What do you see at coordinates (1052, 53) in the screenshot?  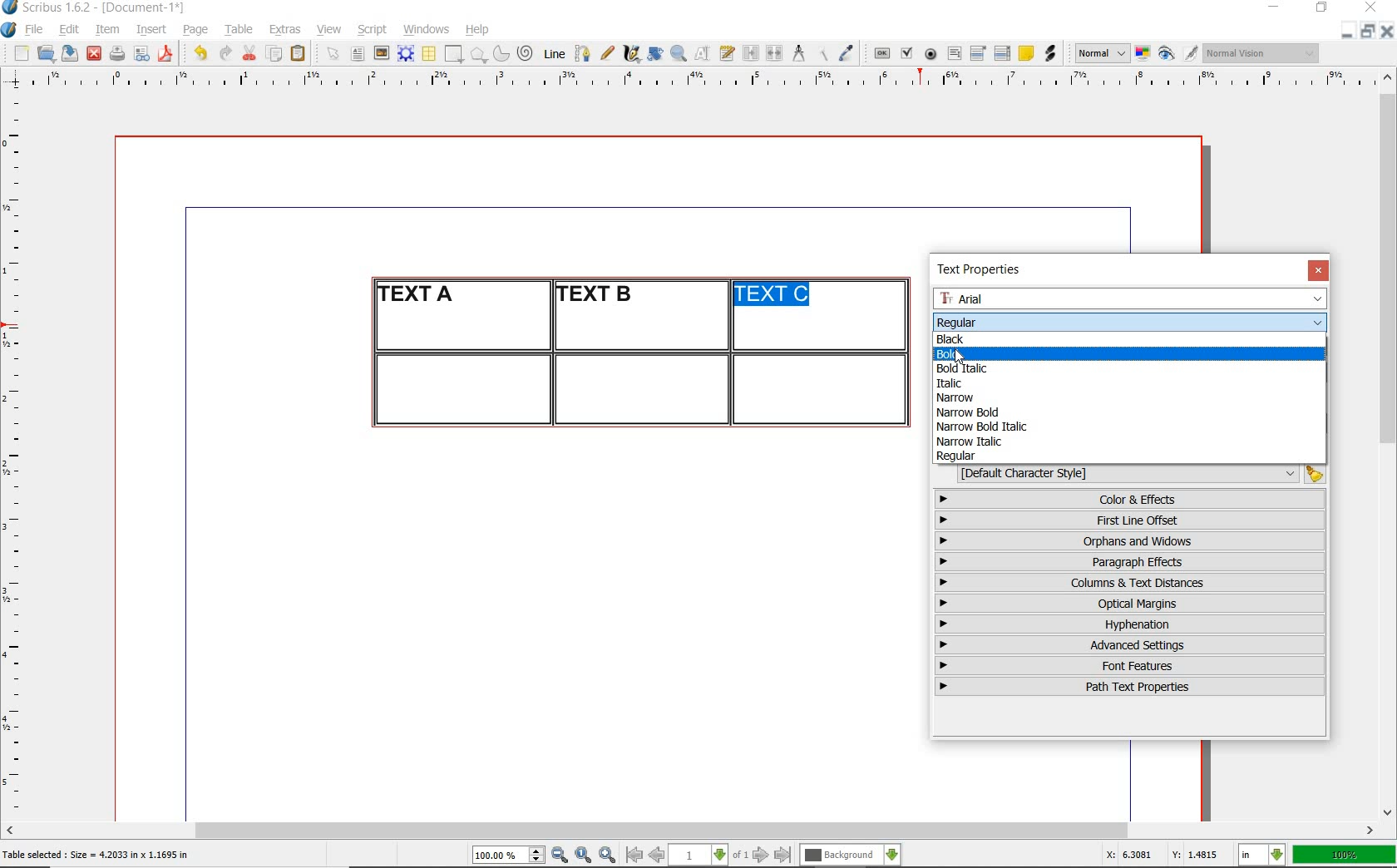 I see `link annotation` at bounding box center [1052, 53].